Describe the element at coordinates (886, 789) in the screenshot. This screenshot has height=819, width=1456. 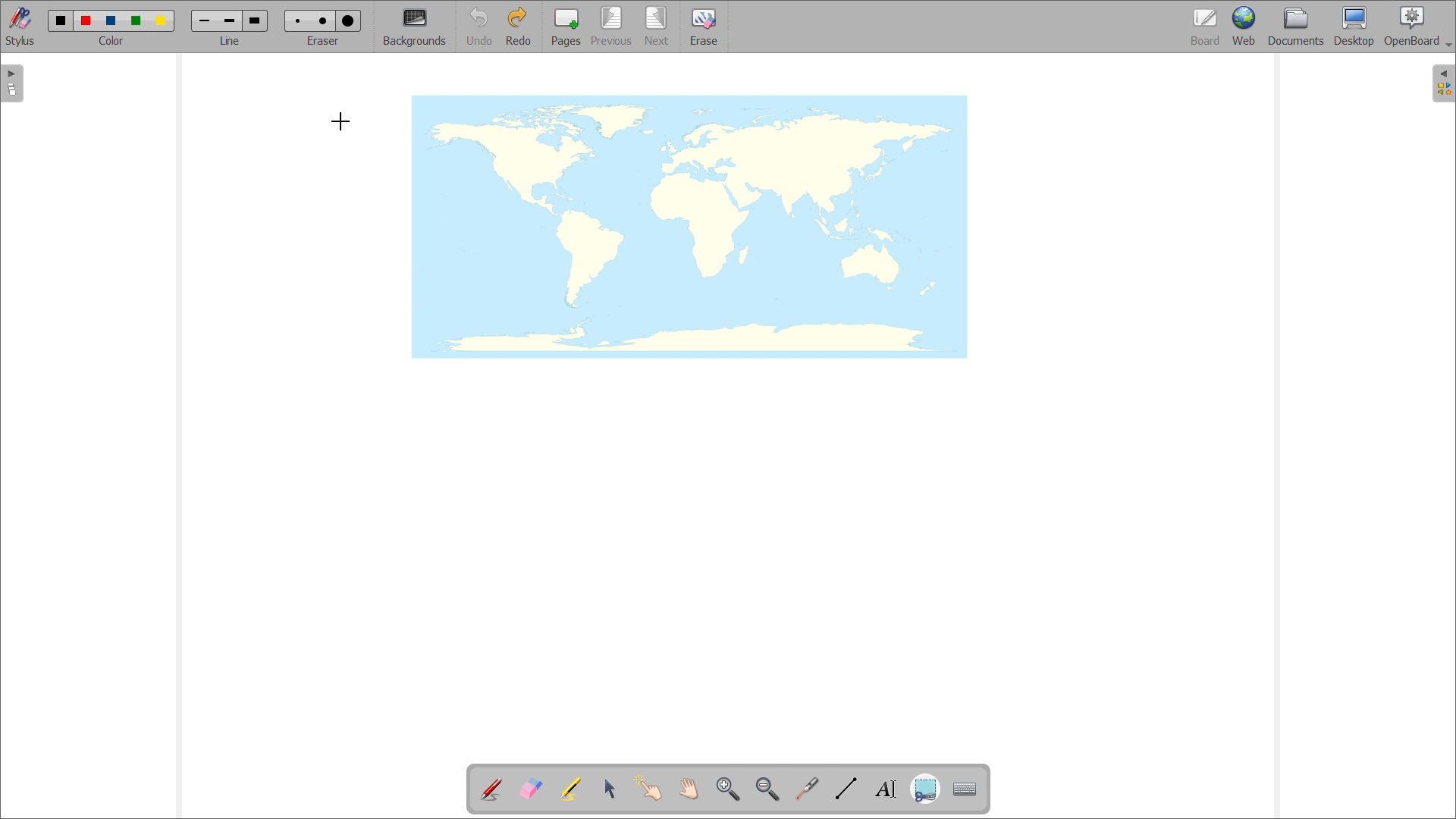
I see `write text` at that location.